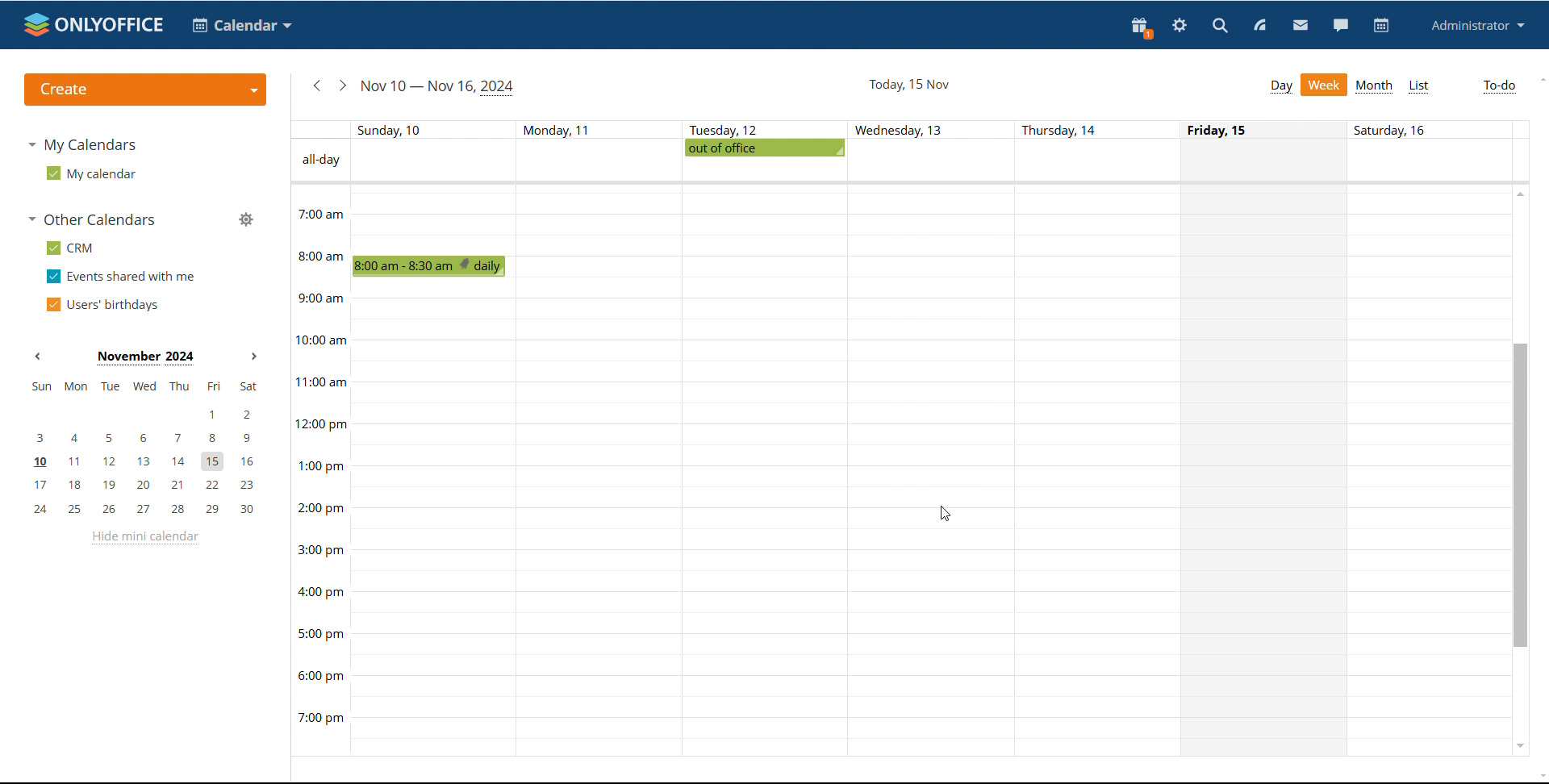  I want to click on current date, so click(908, 84).